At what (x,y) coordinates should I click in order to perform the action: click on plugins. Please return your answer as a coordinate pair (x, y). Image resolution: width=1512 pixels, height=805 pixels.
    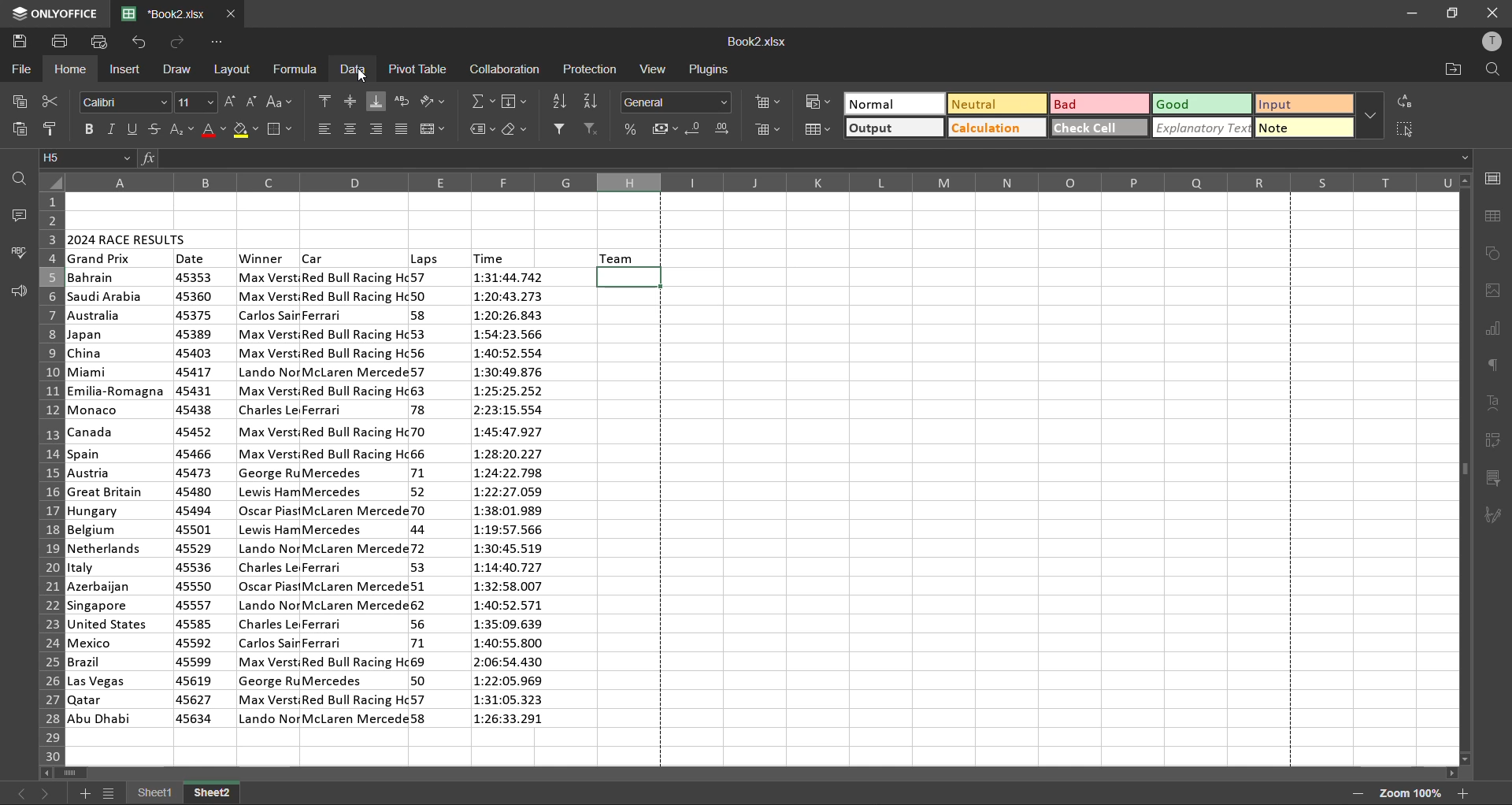
    Looking at the image, I should click on (708, 70).